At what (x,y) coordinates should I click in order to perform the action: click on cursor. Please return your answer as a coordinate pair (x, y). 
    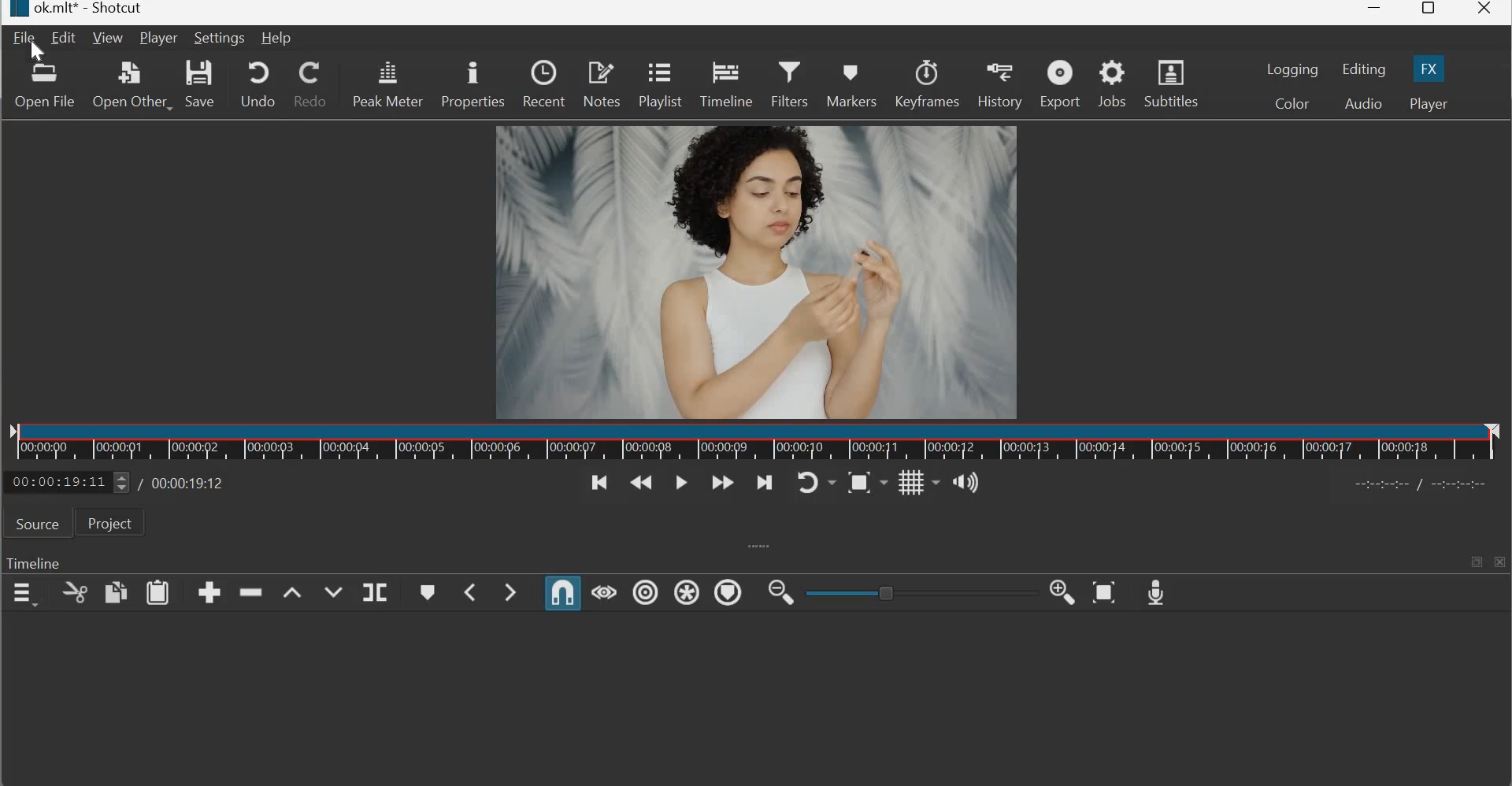
    Looking at the image, I should click on (39, 54).